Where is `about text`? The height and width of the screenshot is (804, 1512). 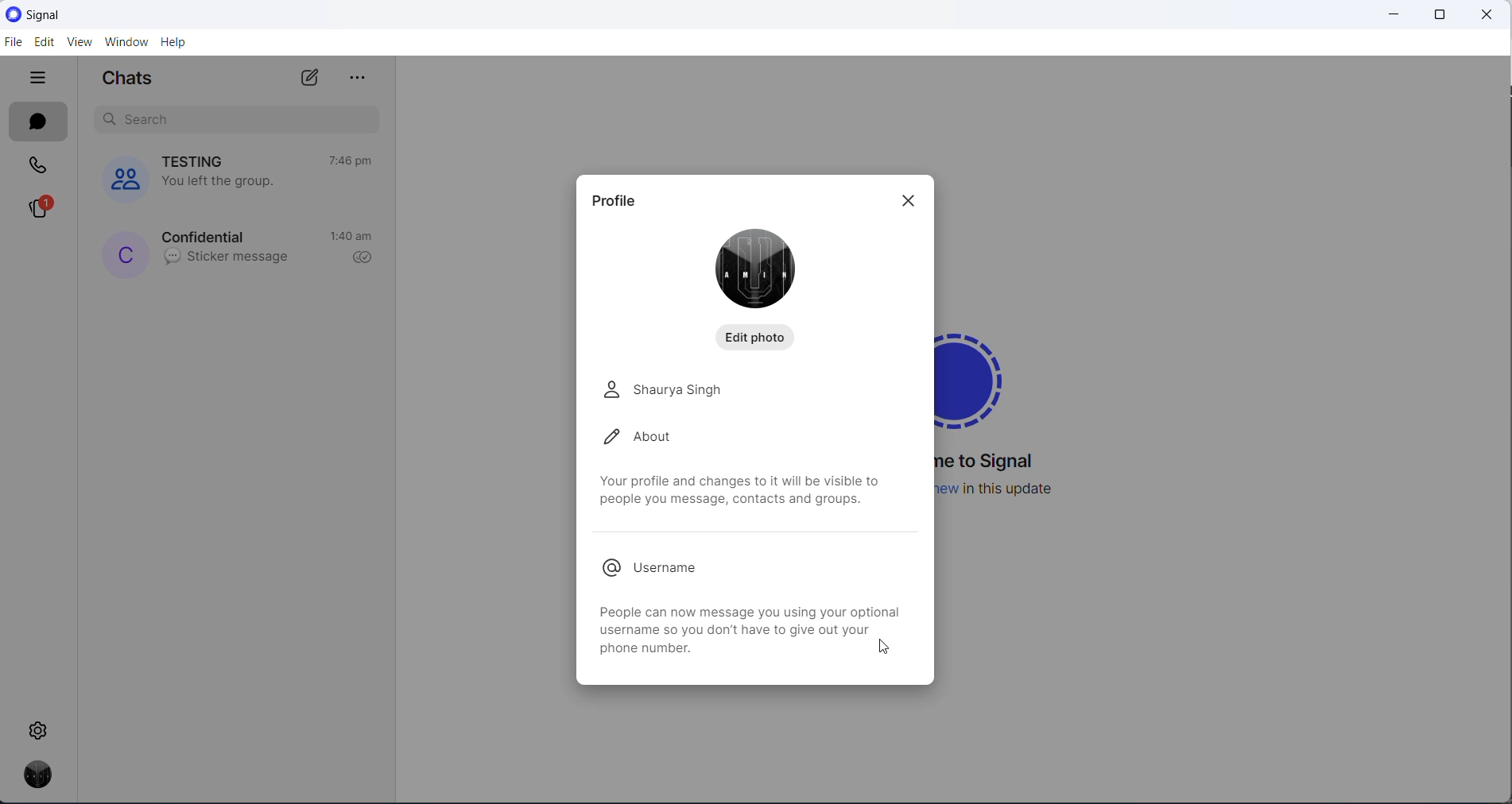 about text is located at coordinates (739, 492).